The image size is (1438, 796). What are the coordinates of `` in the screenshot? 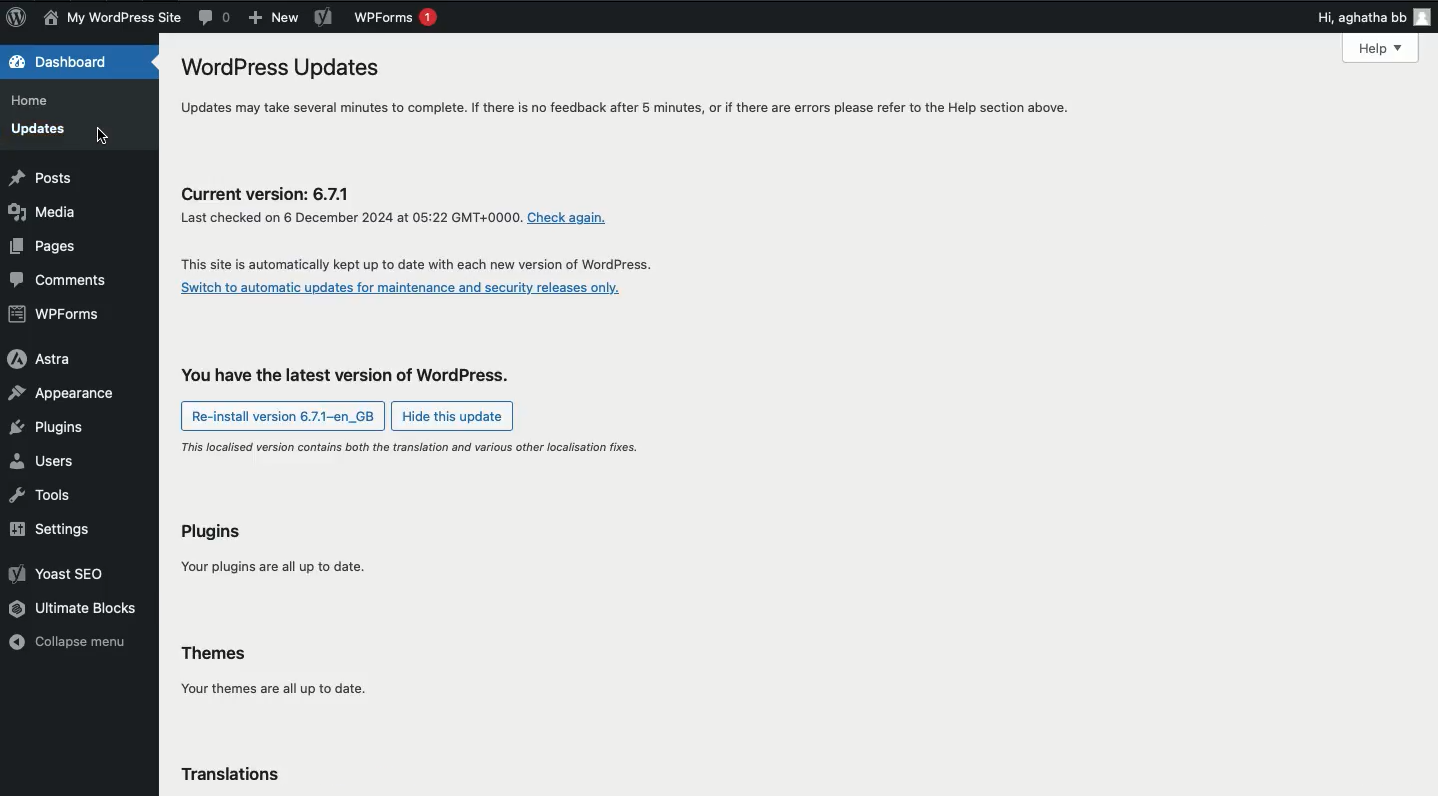 It's located at (410, 291).